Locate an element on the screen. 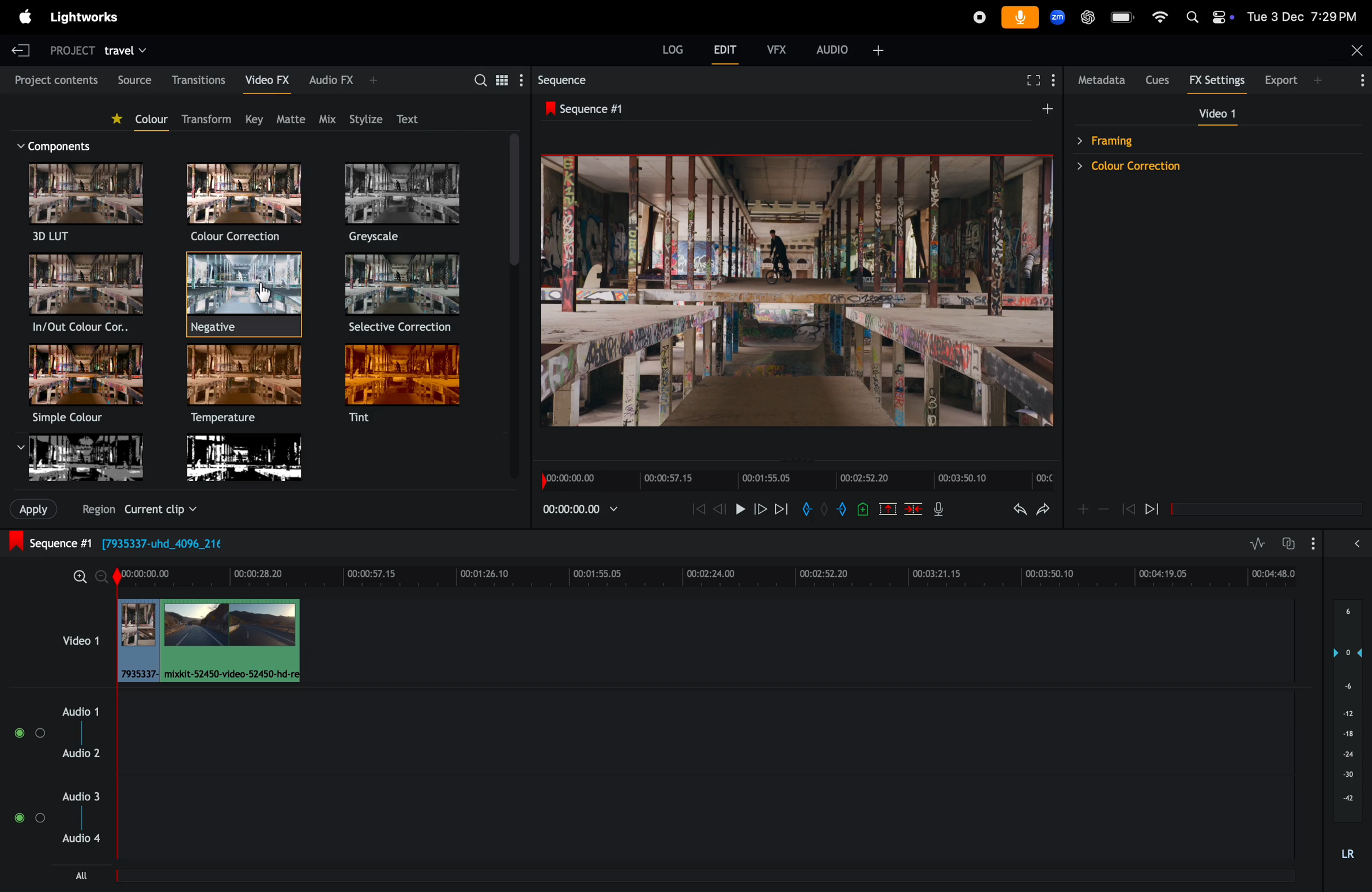  no color is located at coordinates (248, 463).